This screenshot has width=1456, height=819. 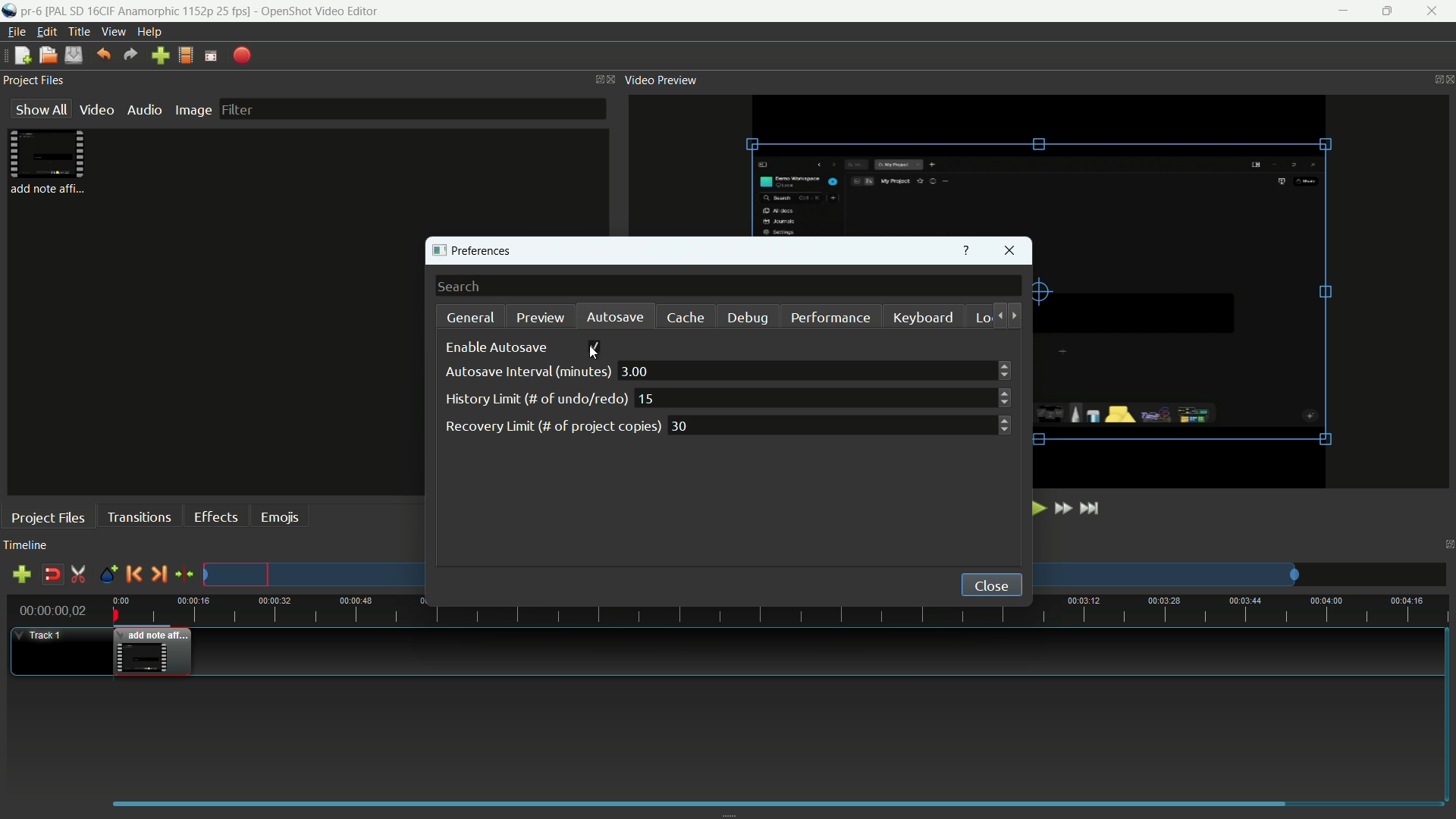 I want to click on video preview, so click(x=661, y=80).